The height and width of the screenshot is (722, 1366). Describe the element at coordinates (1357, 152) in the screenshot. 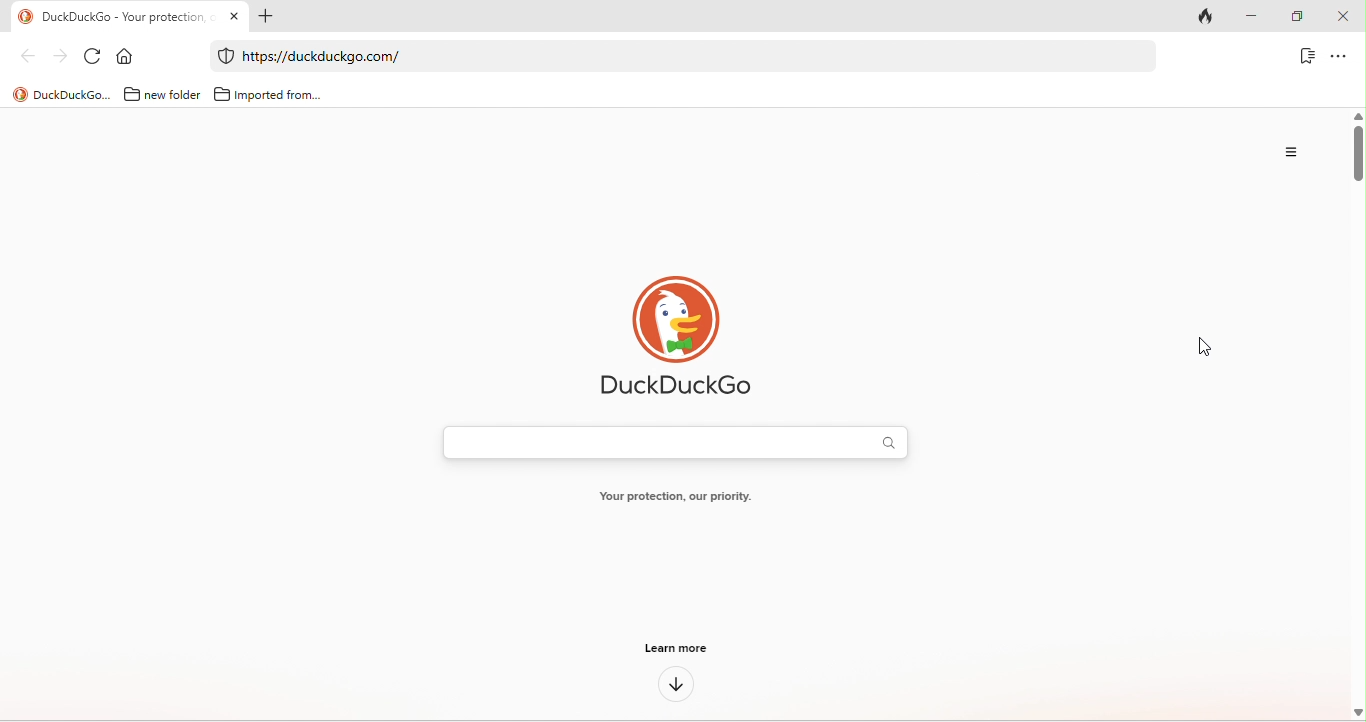

I see `vertical scroll bar` at that location.